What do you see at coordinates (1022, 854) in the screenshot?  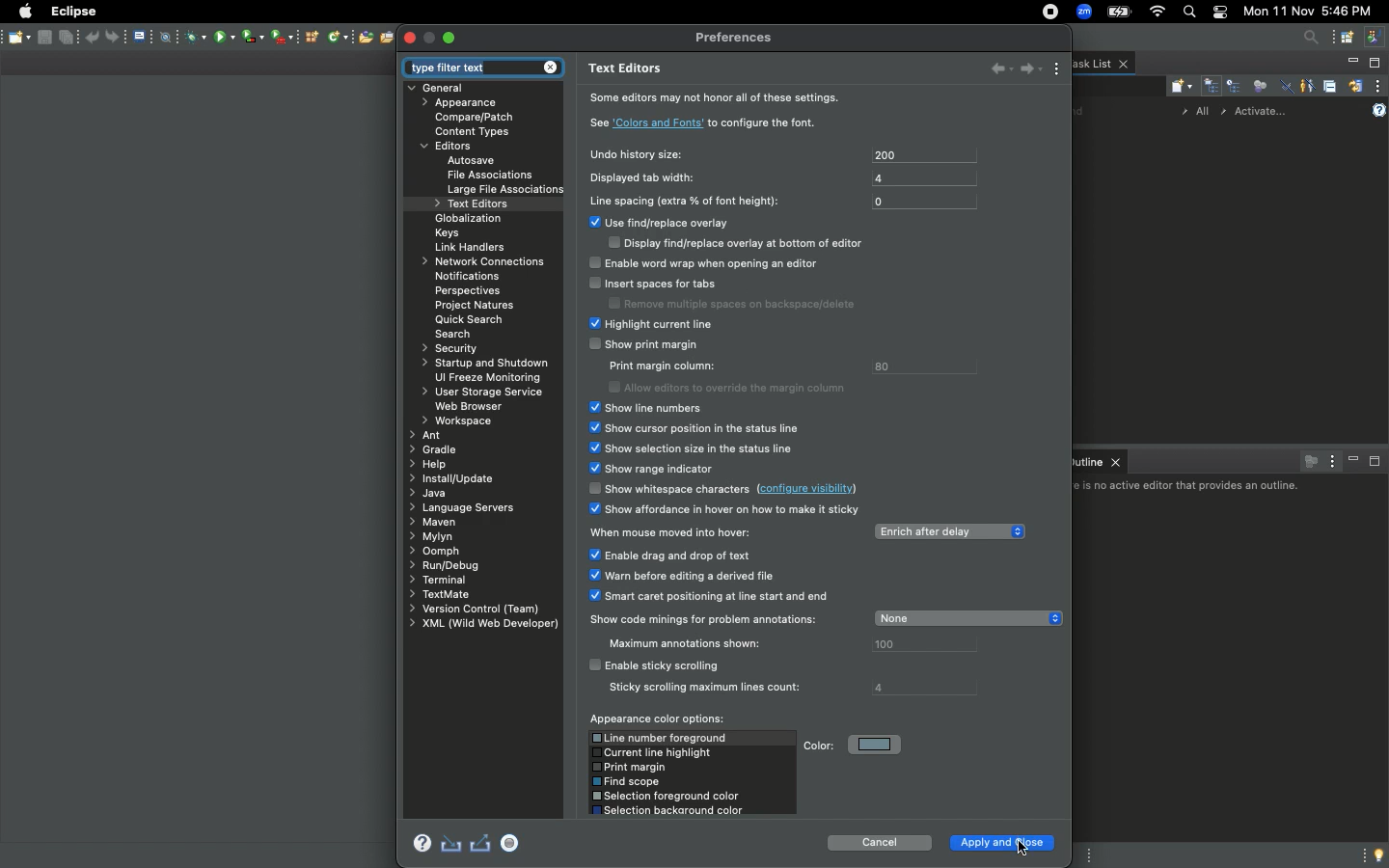 I see `Cursor` at bounding box center [1022, 854].